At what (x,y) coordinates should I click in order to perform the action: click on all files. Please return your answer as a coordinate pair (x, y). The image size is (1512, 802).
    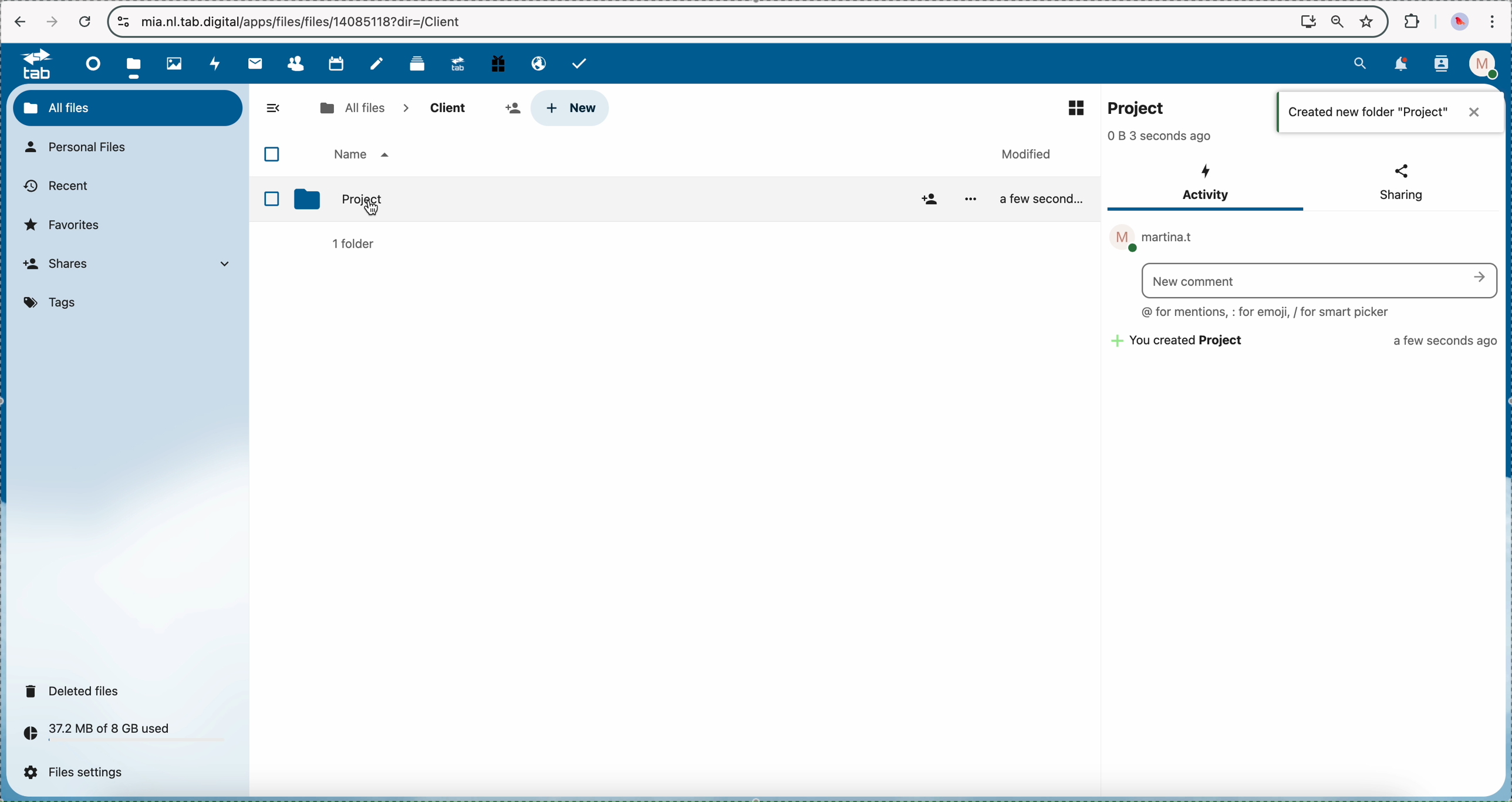
    Looking at the image, I should click on (128, 107).